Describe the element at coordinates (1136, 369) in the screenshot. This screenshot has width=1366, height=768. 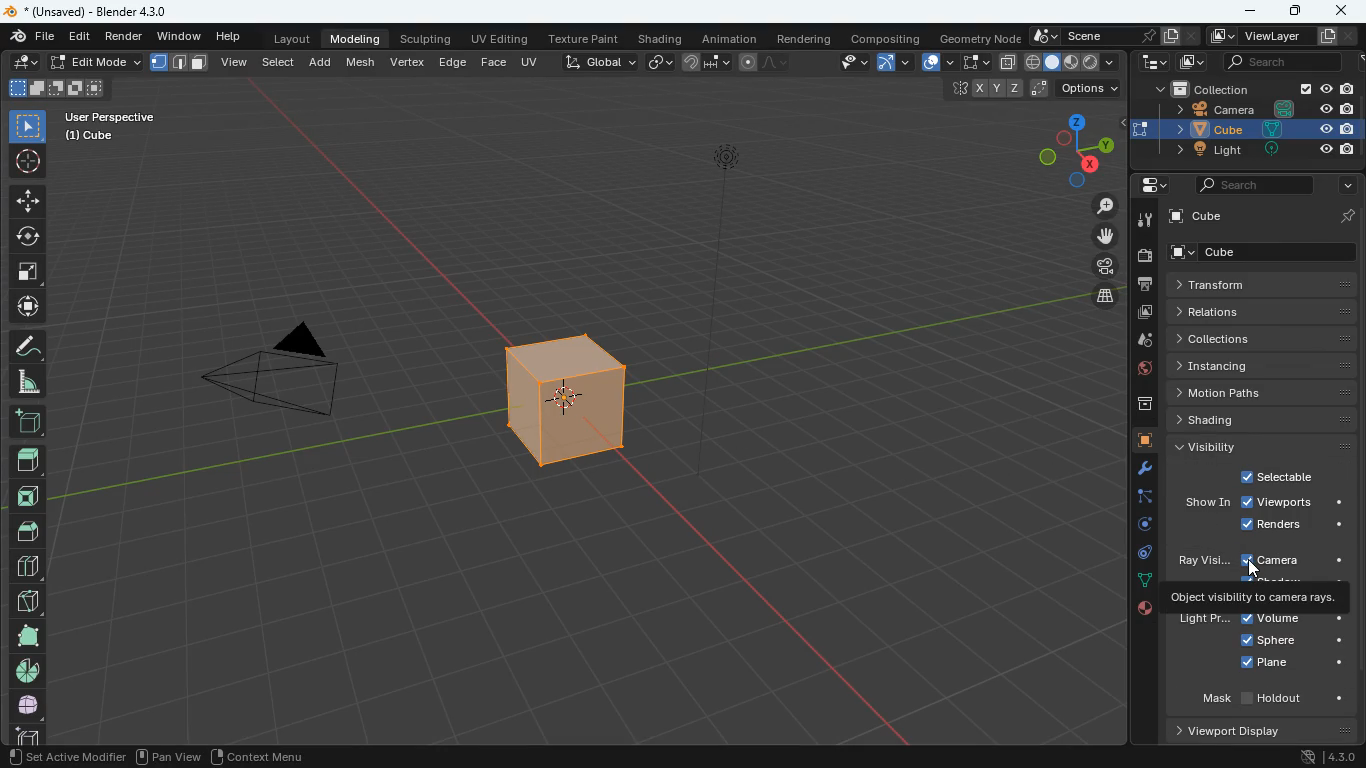
I see `globe` at that location.